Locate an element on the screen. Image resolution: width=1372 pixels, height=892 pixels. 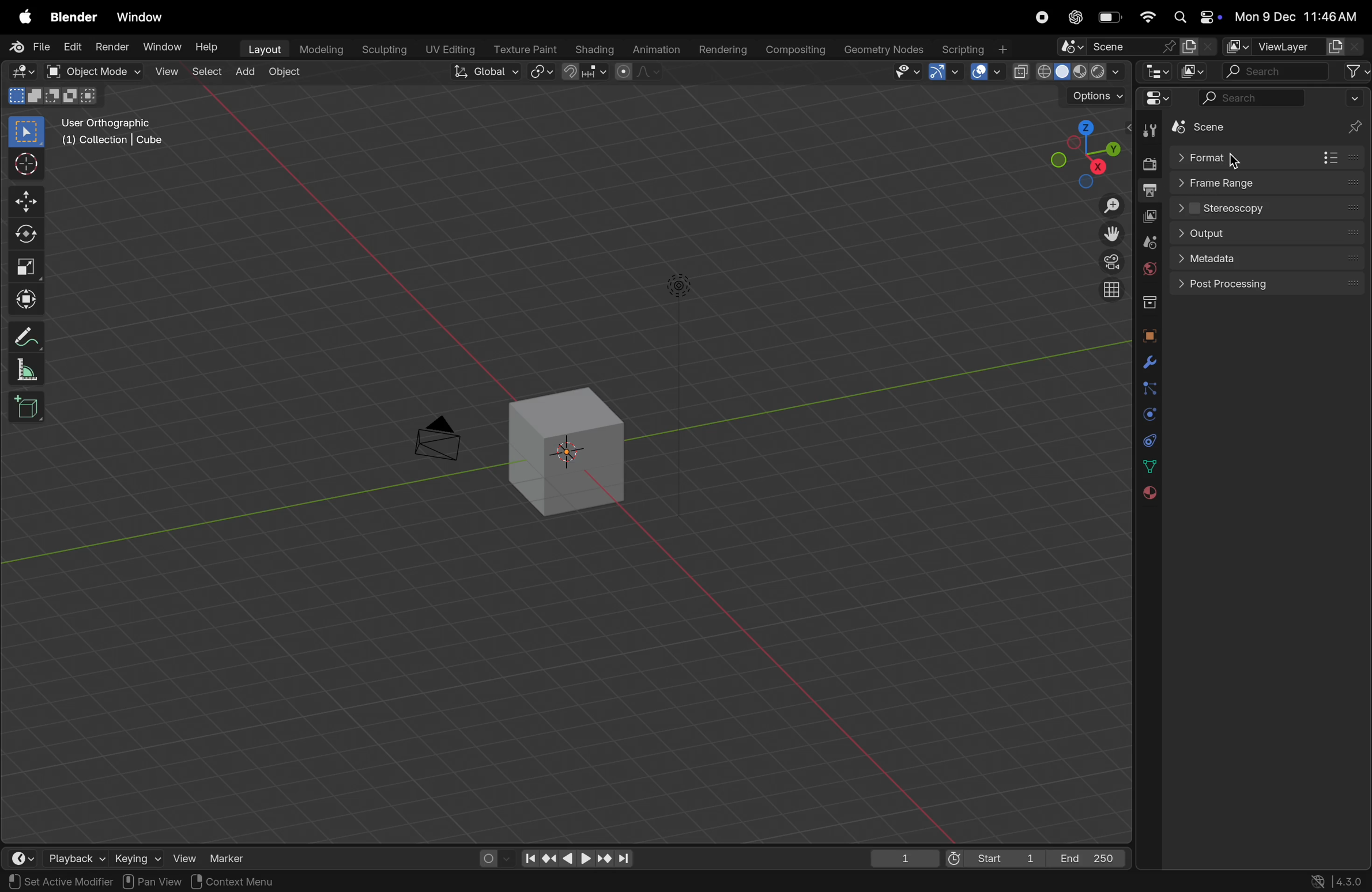
battery is located at coordinates (1106, 18).